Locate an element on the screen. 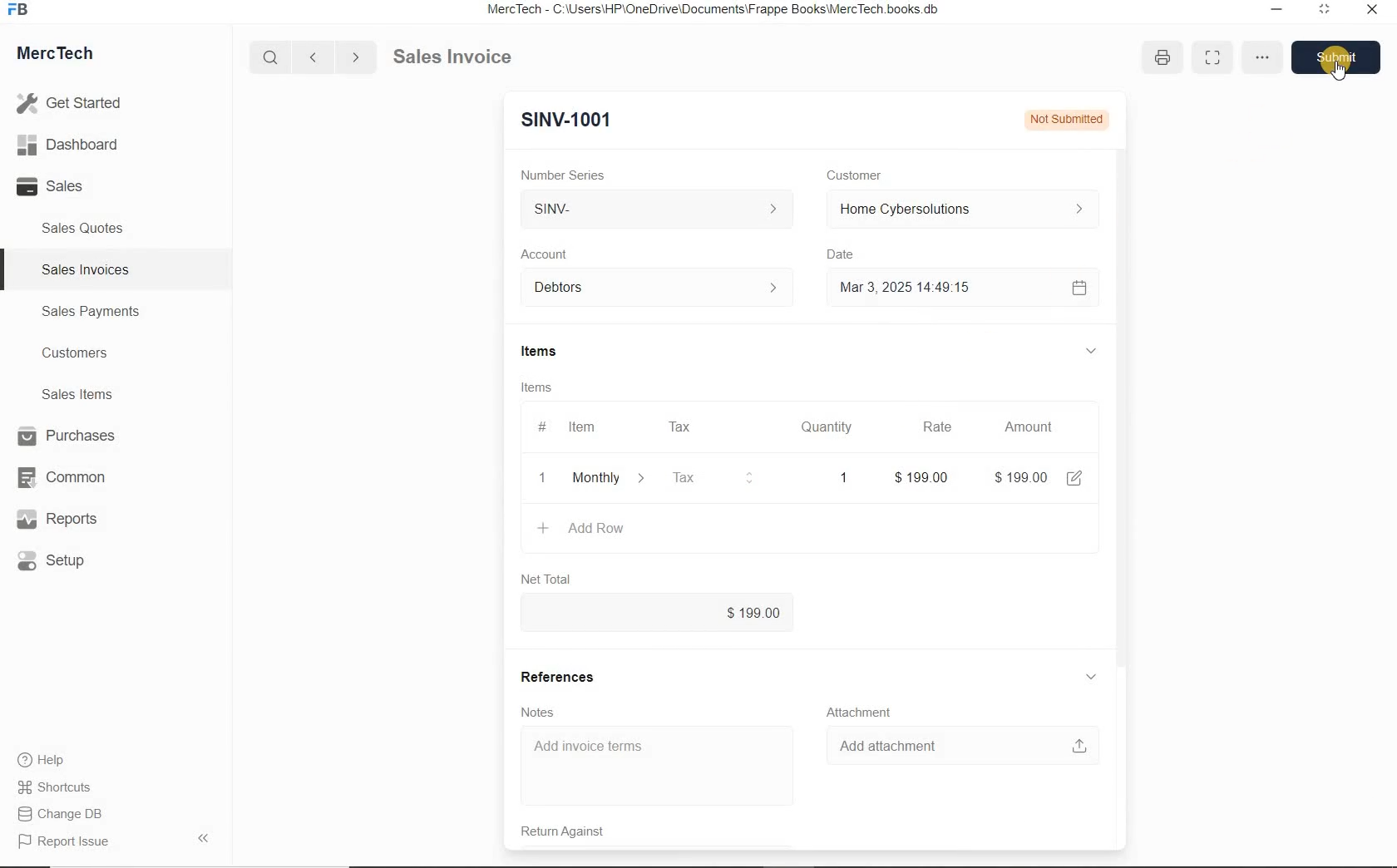 This screenshot has height=868, width=1397. Minimize is located at coordinates (1276, 12).